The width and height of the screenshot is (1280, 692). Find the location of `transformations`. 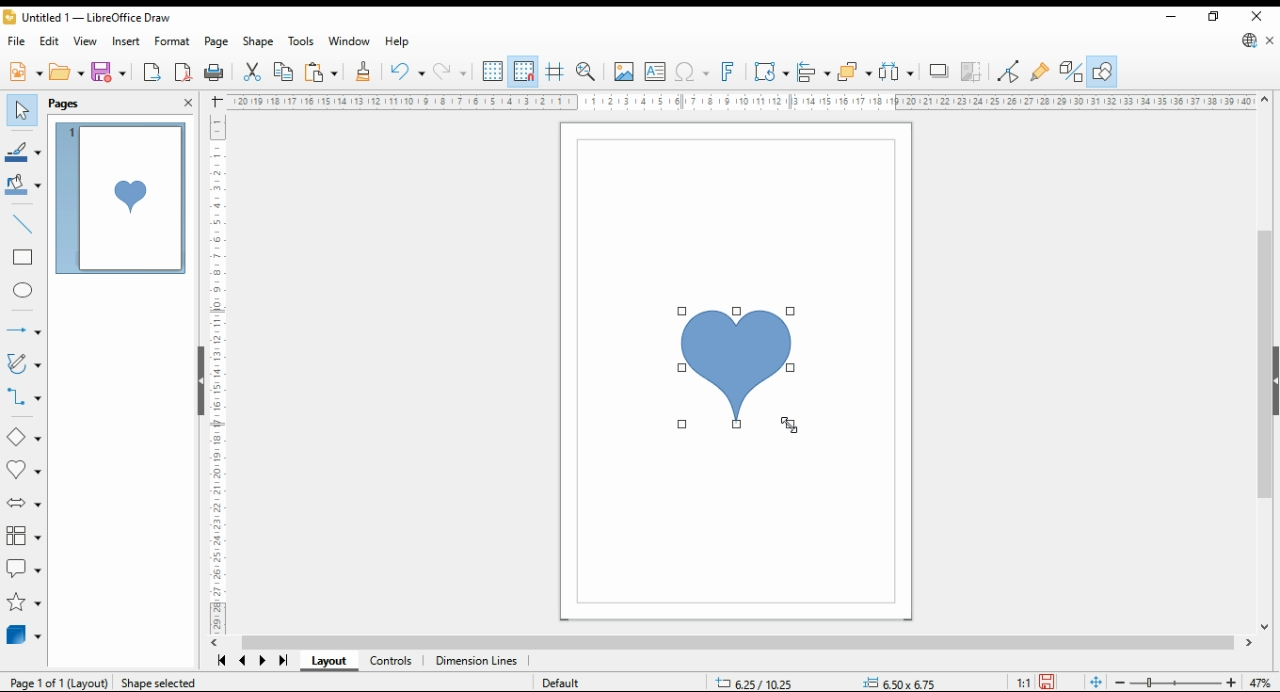

transformations is located at coordinates (771, 71).